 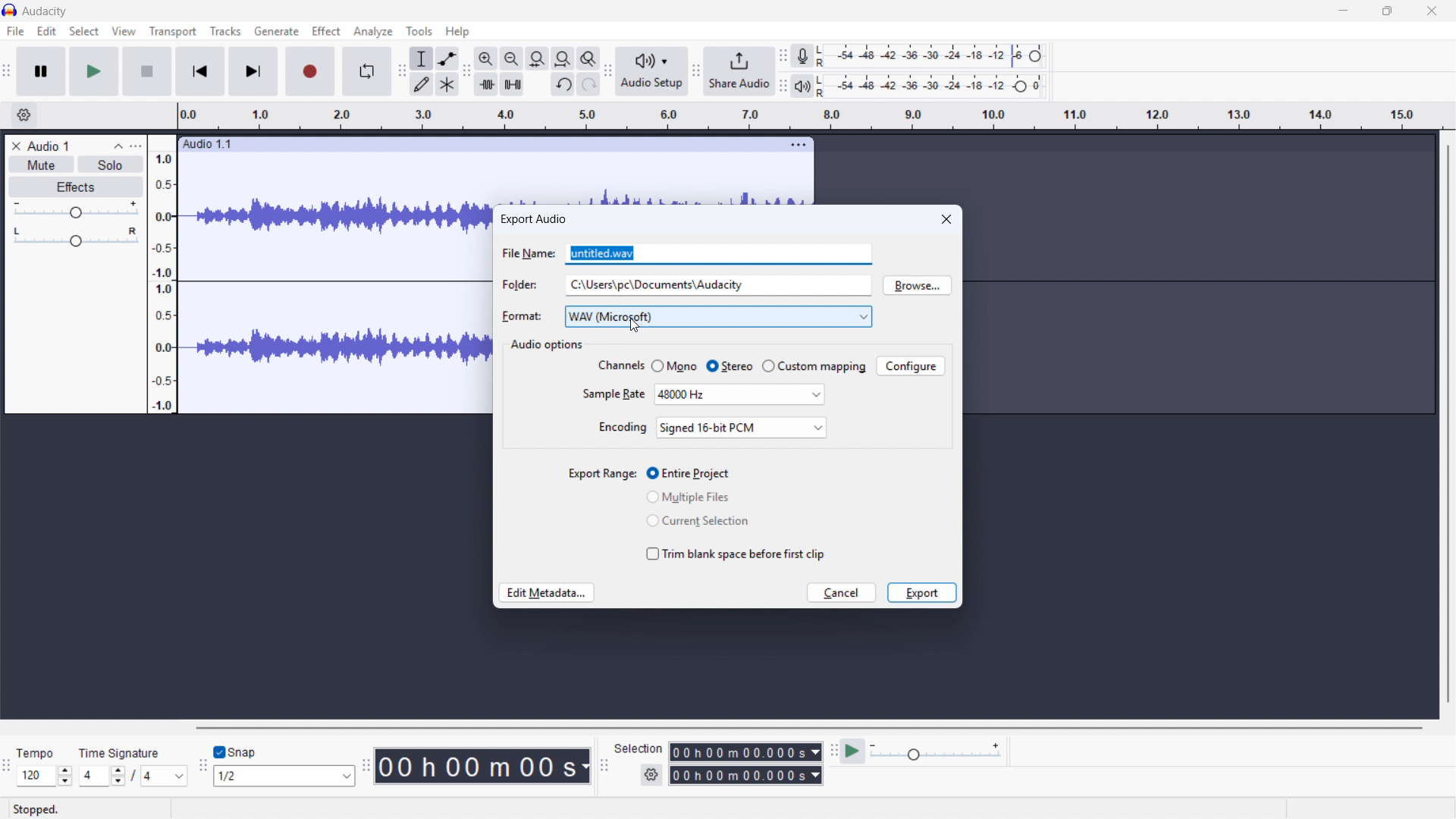 What do you see at coordinates (372, 31) in the screenshot?
I see `Analyse ` at bounding box center [372, 31].